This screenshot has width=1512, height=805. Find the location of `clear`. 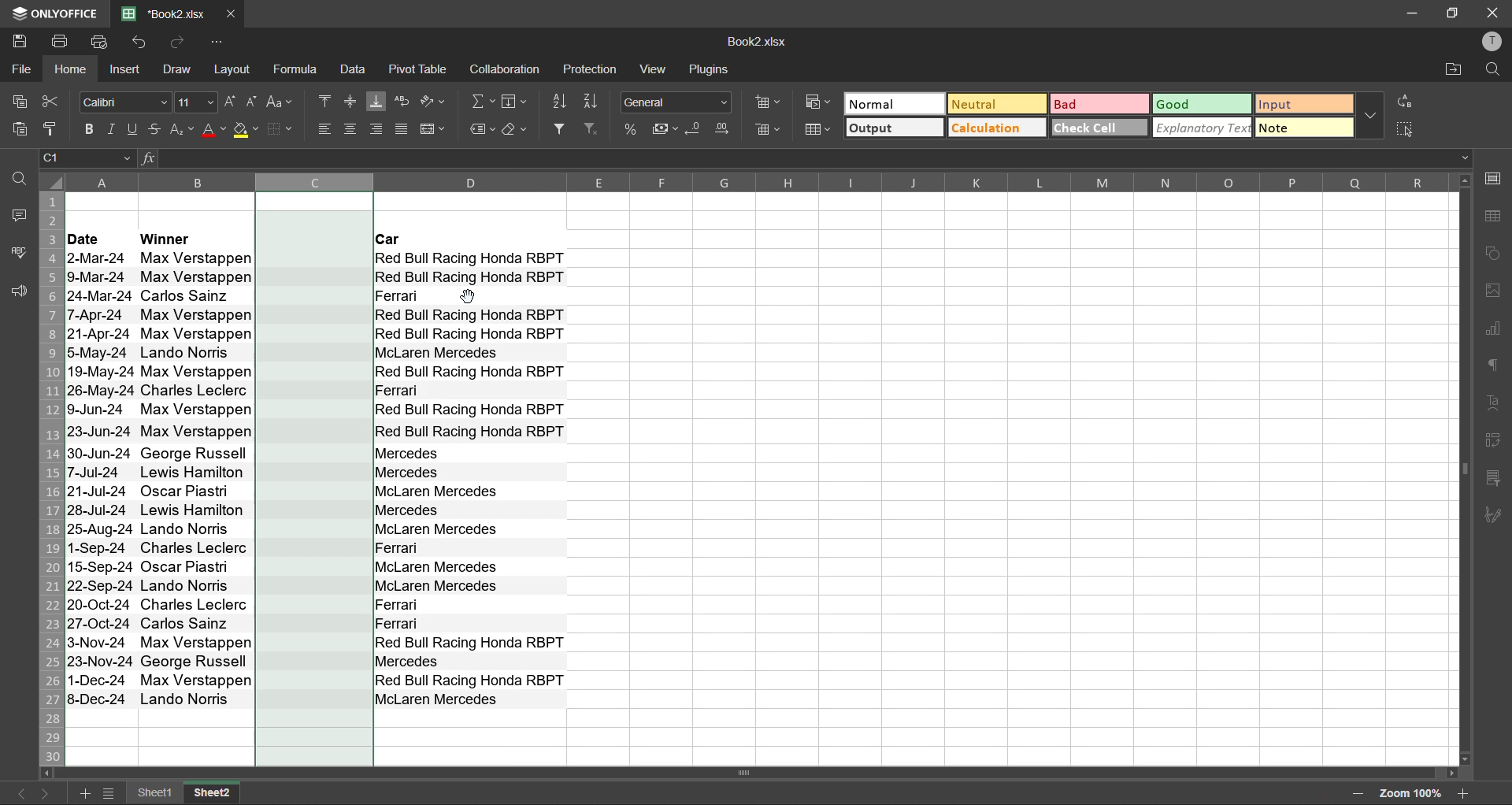

clear is located at coordinates (517, 129).